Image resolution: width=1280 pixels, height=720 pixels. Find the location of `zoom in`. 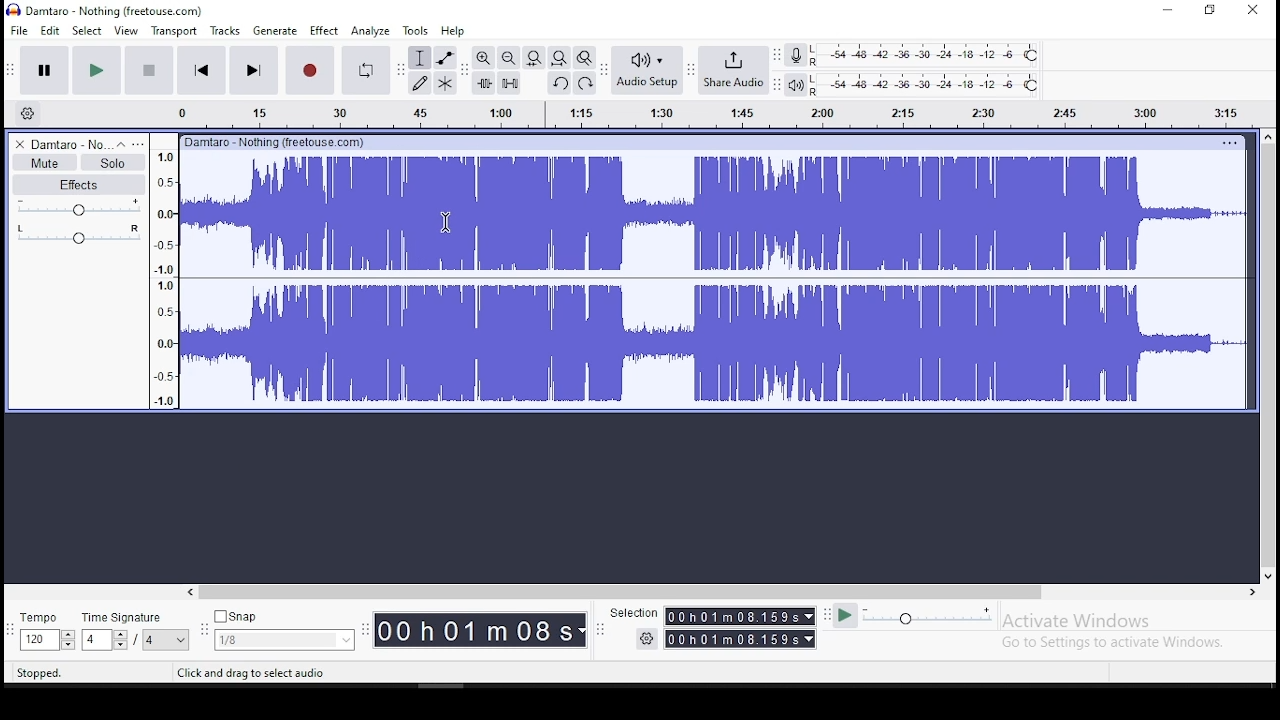

zoom in is located at coordinates (485, 58).